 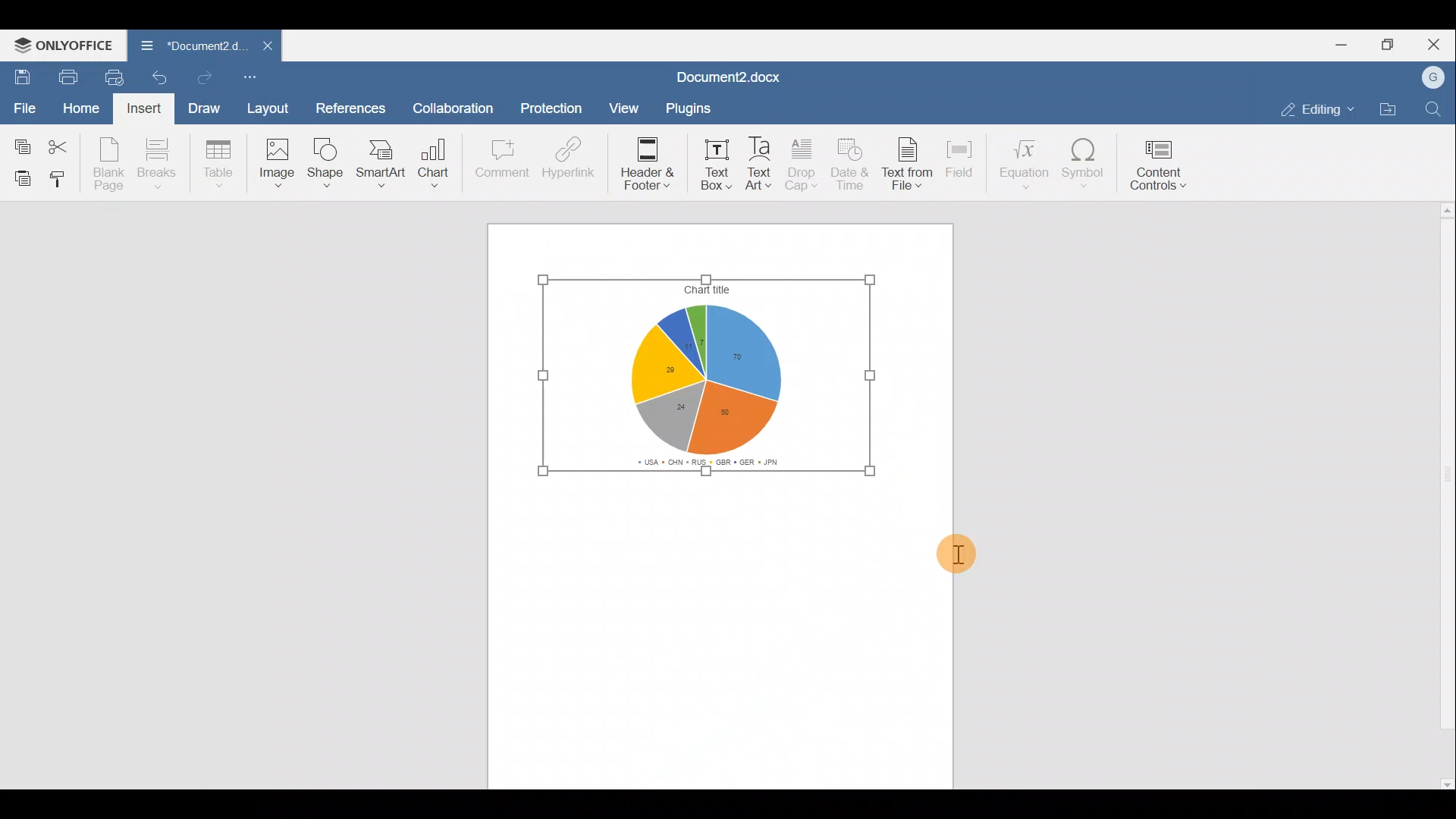 I want to click on Document name, so click(x=738, y=75).